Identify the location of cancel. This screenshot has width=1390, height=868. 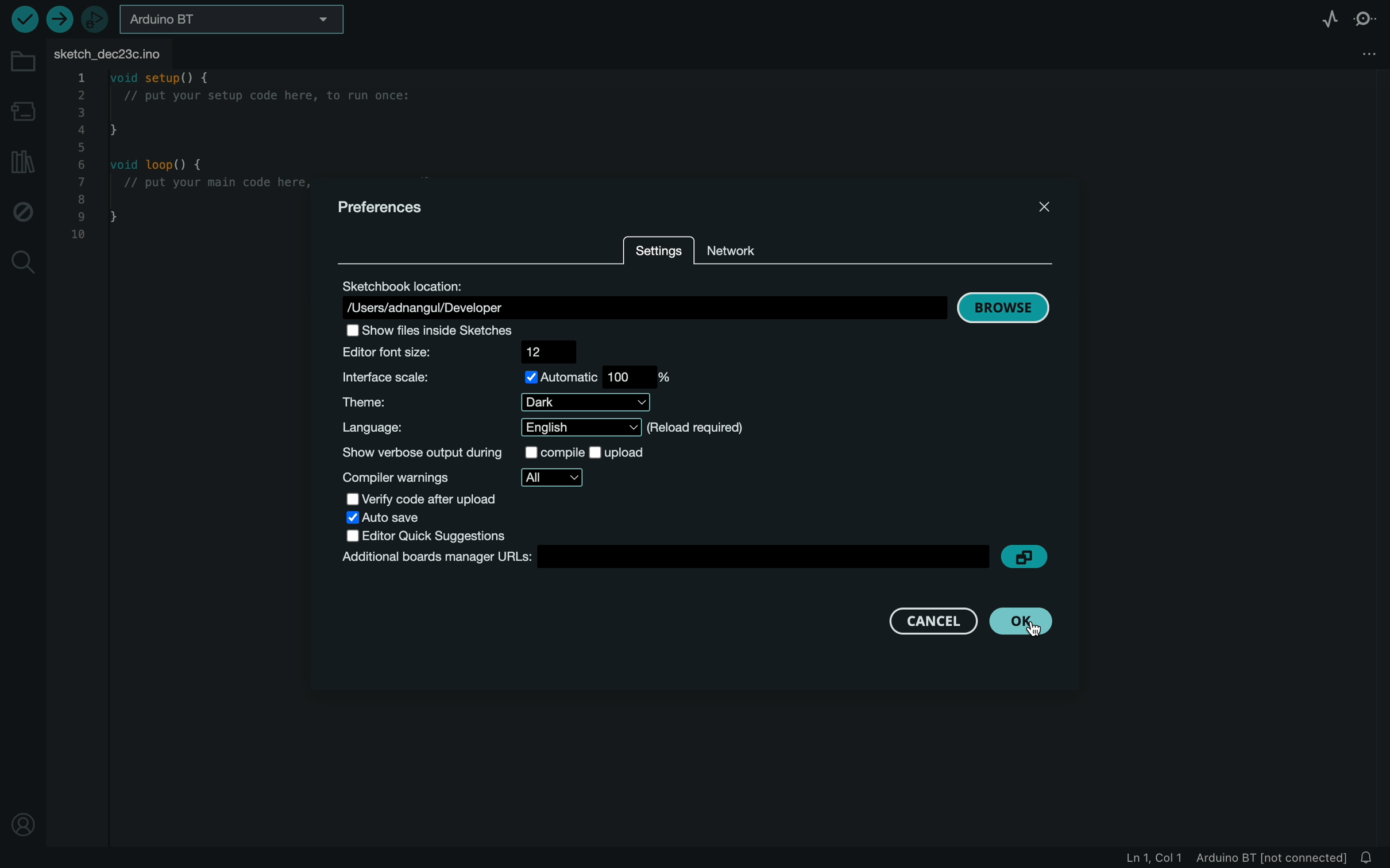
(941, 622).